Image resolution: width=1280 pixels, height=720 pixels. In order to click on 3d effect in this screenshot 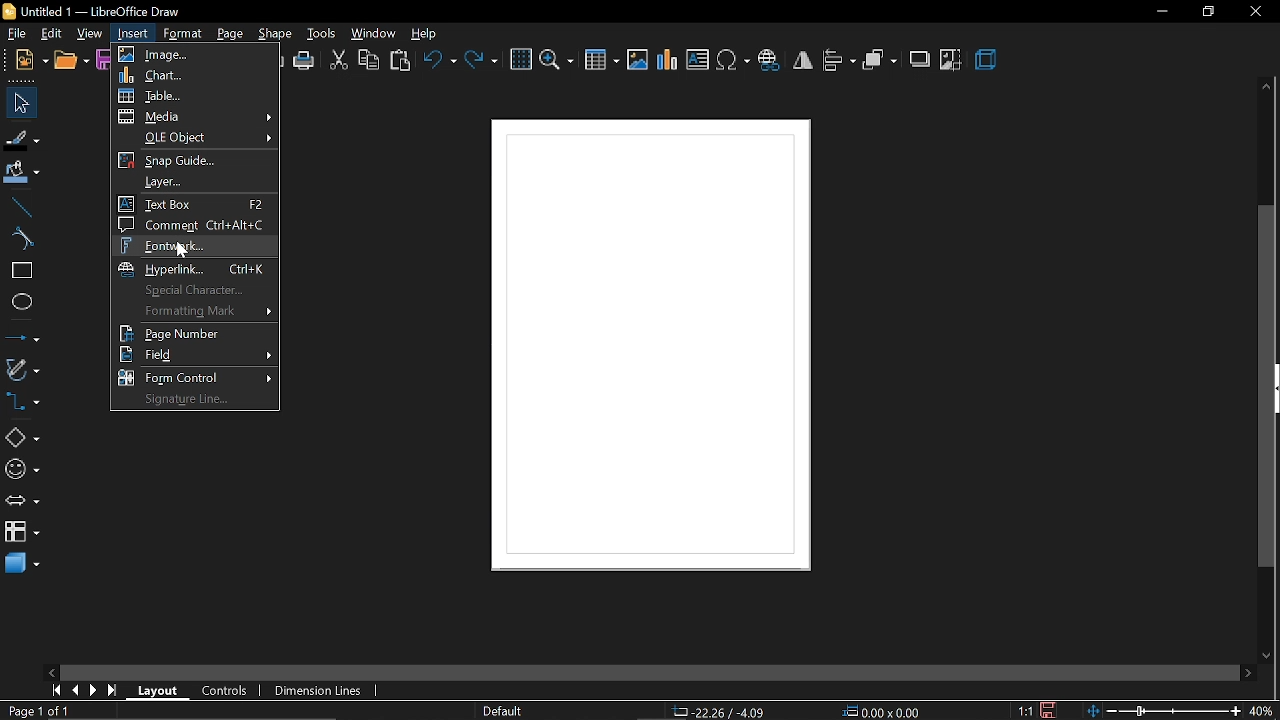, I will do `click(986, 60)`.